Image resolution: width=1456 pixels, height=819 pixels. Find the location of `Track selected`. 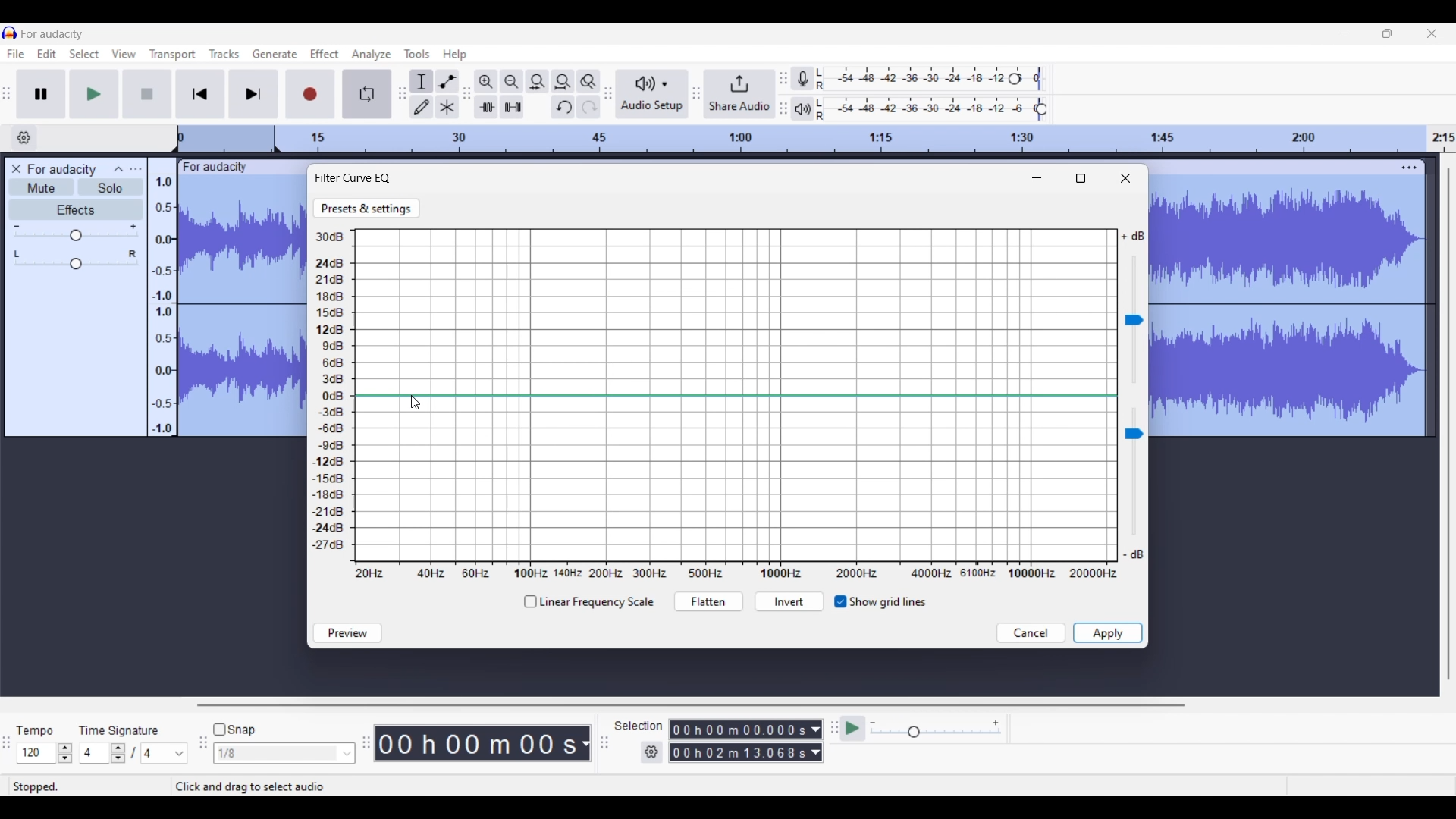

Track selected is located at coordinates (243, 307).